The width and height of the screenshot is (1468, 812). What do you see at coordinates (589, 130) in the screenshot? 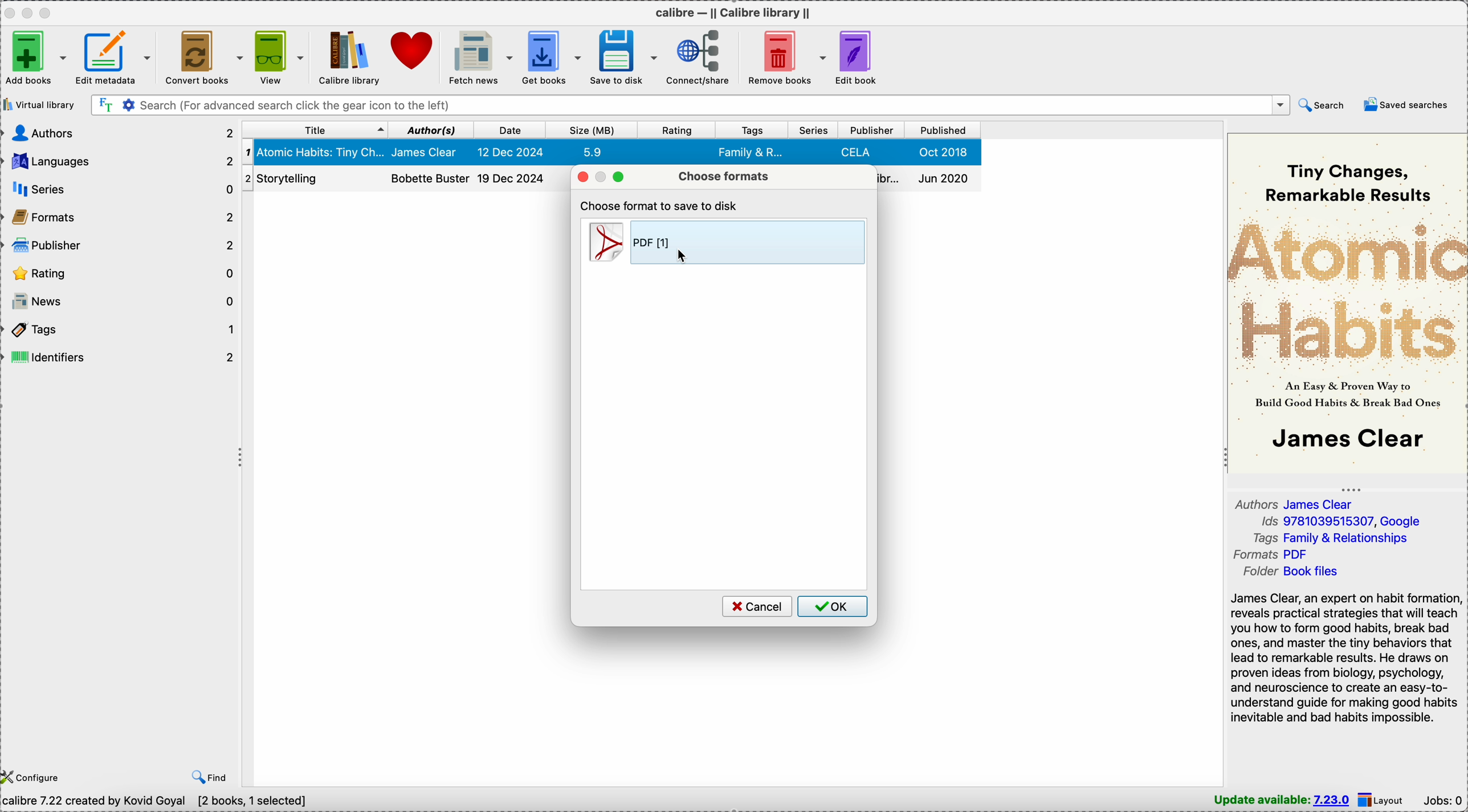
I see `size` at bounding box center [589, 130].